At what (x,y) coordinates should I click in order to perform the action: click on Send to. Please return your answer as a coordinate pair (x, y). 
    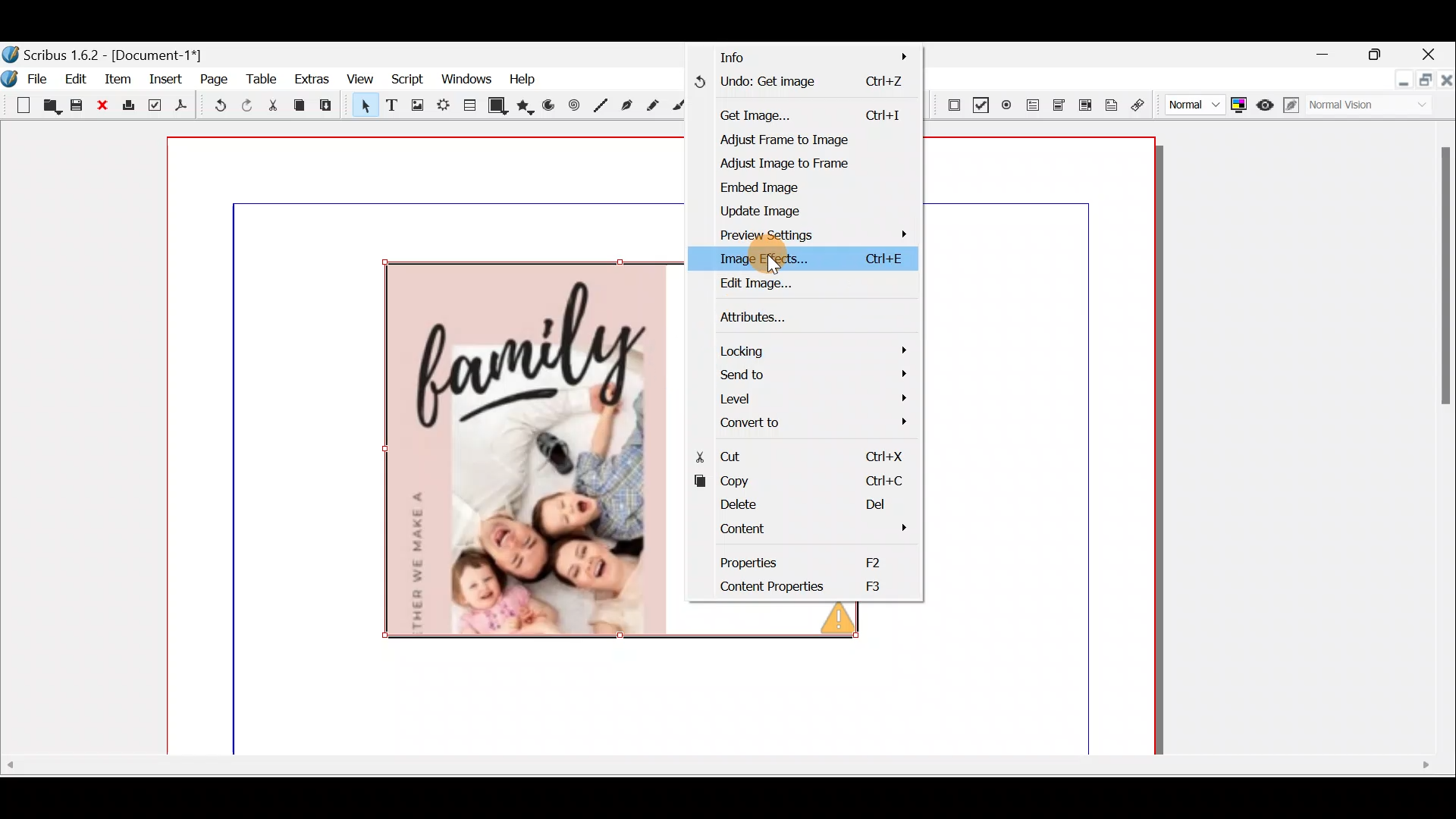
    Looking at the image, I should click on (813, 374).